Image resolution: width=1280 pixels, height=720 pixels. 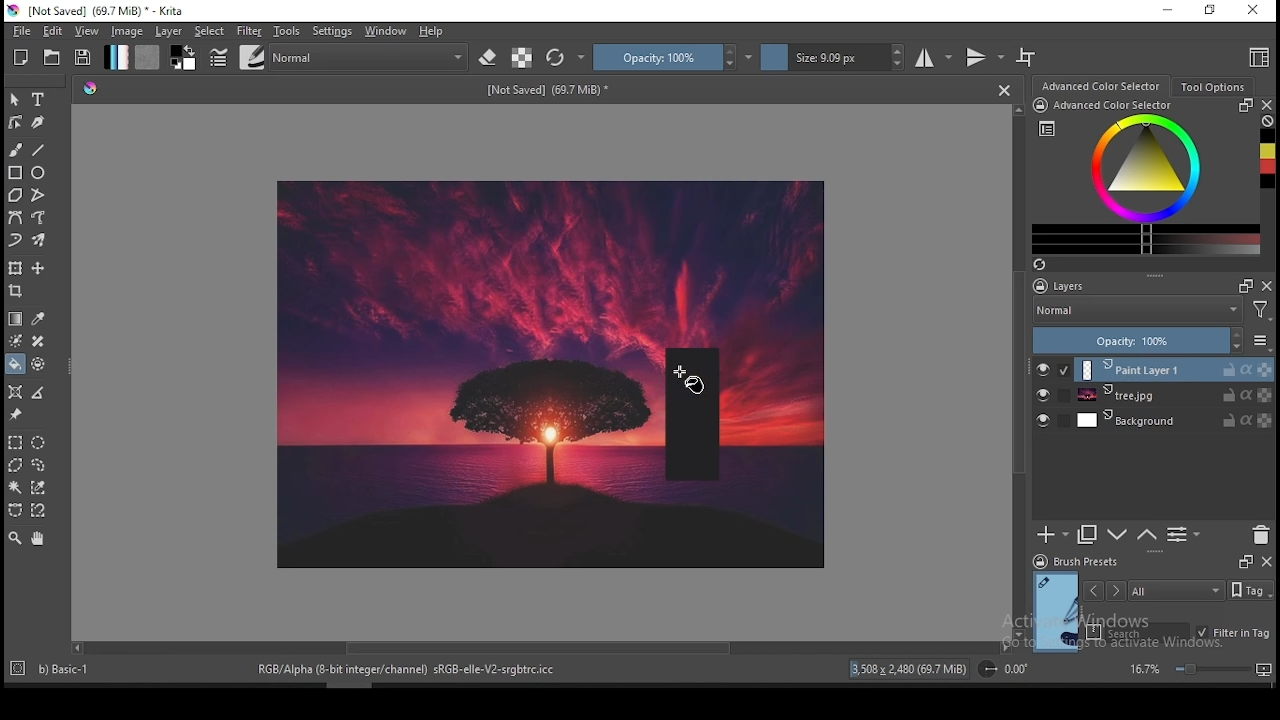 I want to click on save, so click(x=84, y=58).